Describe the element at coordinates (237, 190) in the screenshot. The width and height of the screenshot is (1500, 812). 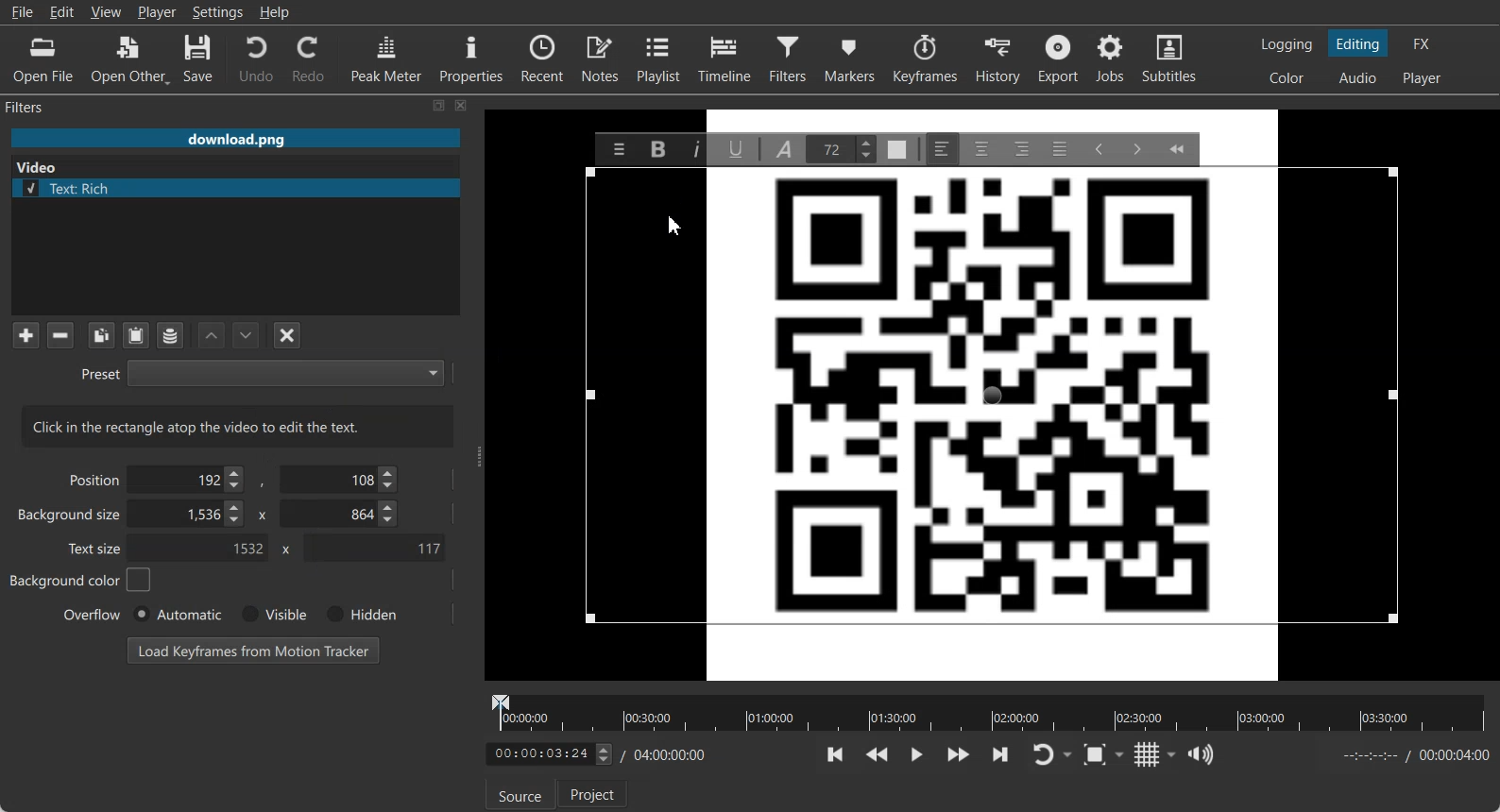
I see `Text: Rich file` at that location.